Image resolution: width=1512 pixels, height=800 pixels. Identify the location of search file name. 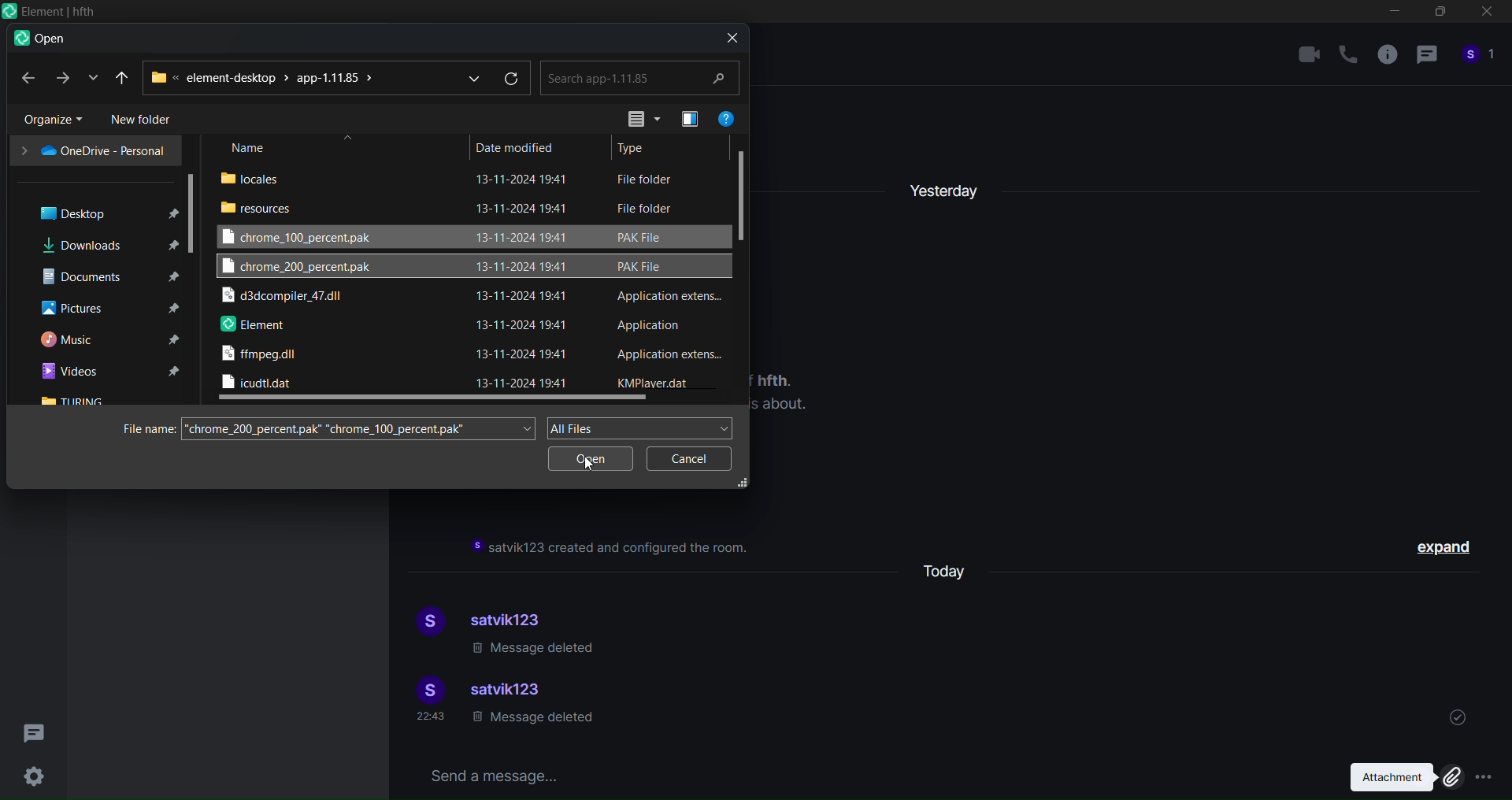
(362, 426).